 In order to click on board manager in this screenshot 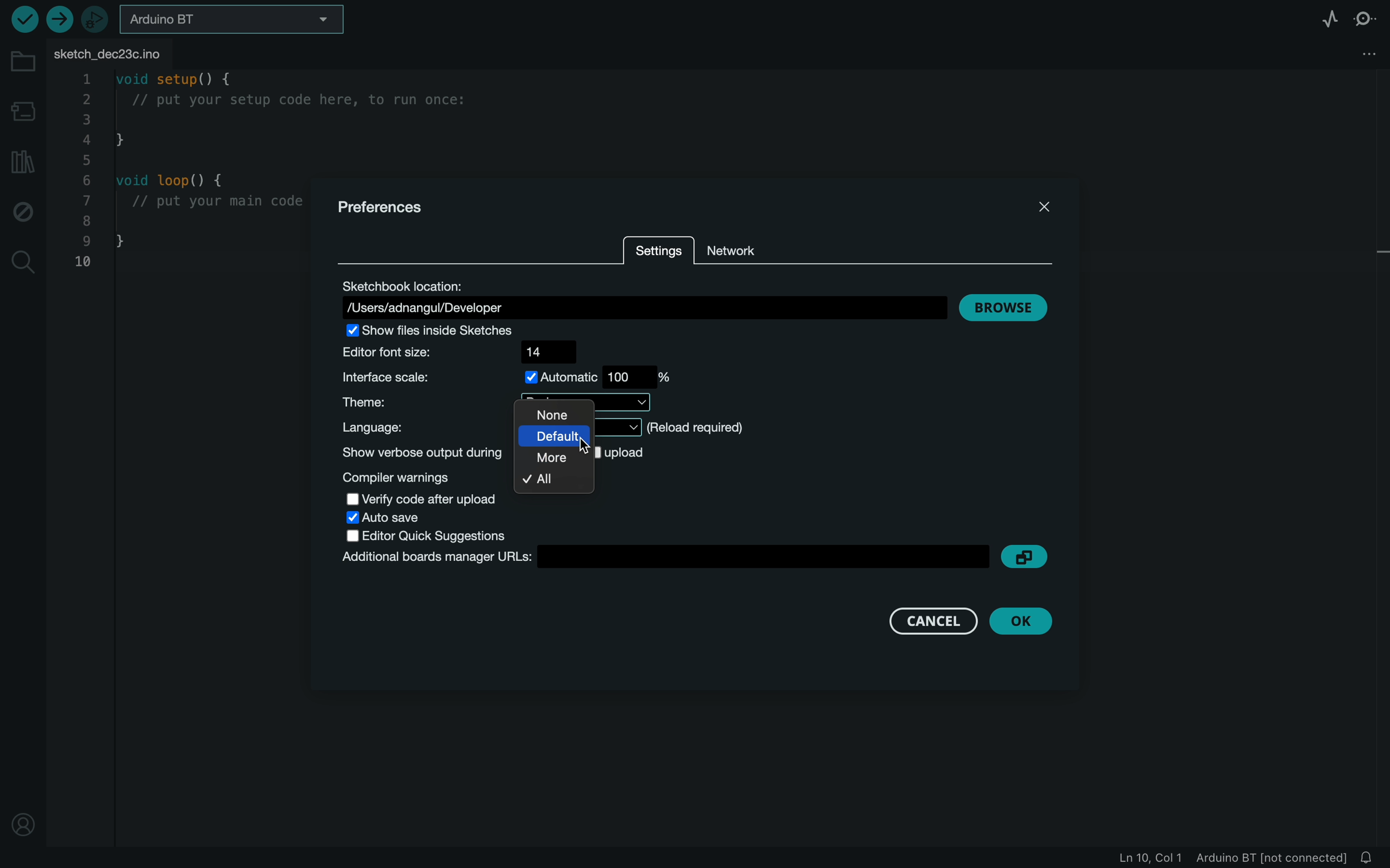, I will do `click(23, 111)`.